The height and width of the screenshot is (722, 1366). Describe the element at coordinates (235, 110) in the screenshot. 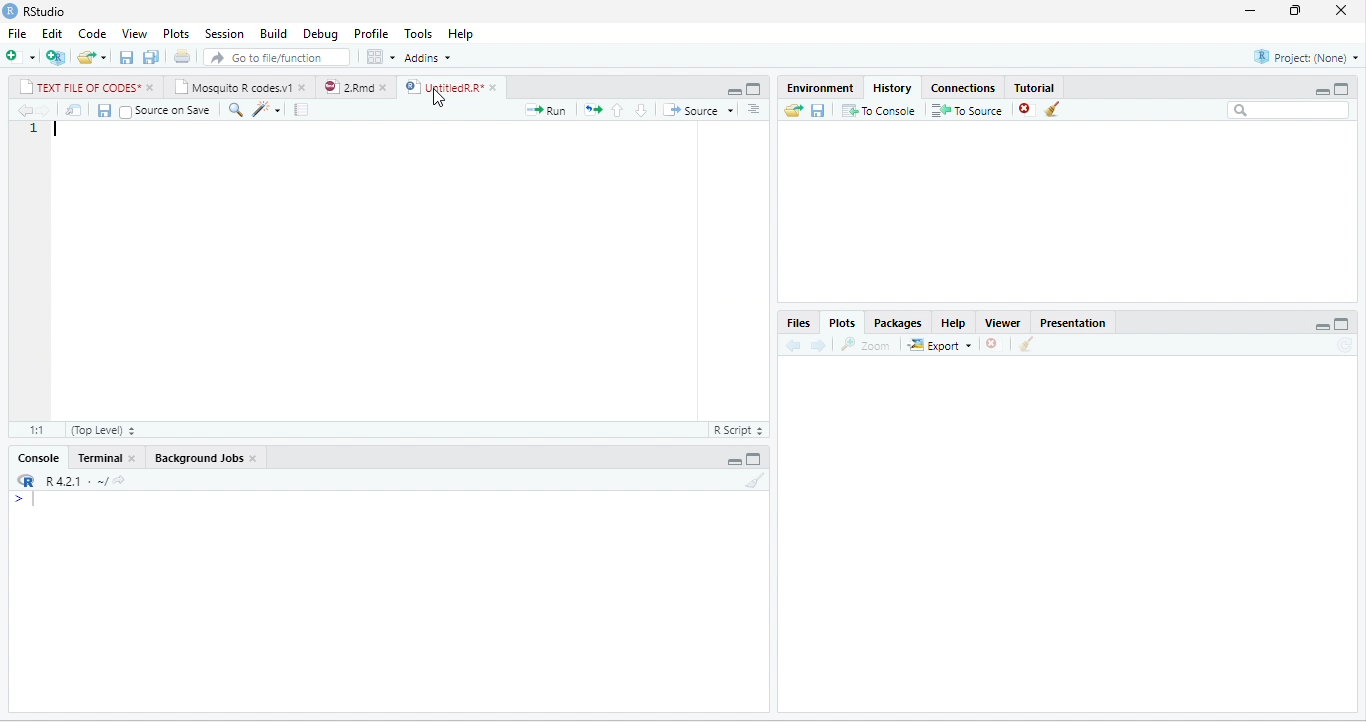

I see `search` at that location.